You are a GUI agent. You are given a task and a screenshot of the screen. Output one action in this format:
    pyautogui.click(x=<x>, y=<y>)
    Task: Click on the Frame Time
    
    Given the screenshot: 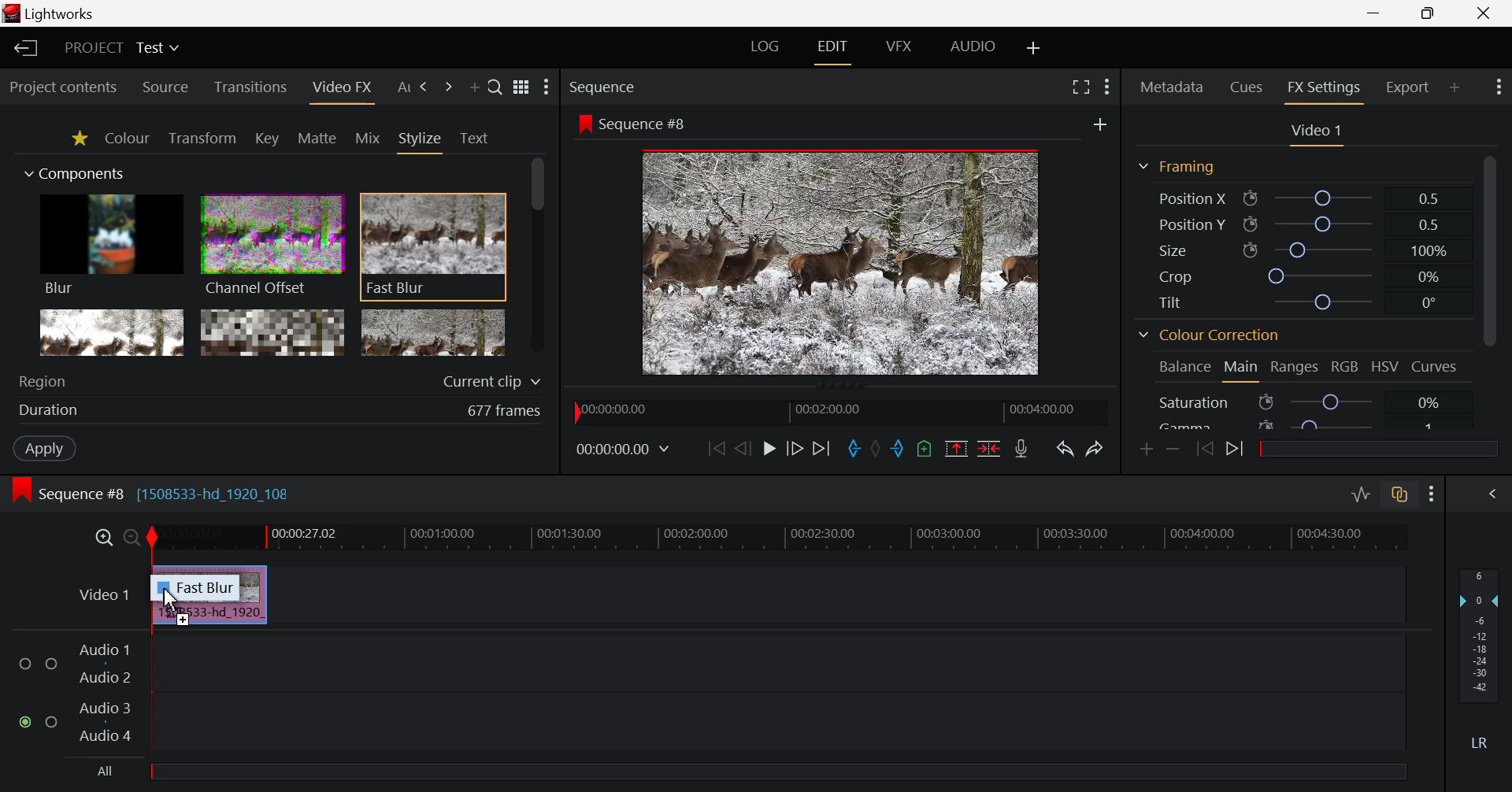 What is the action you would take?
    pyautogui.click(x=624, y=448)
    